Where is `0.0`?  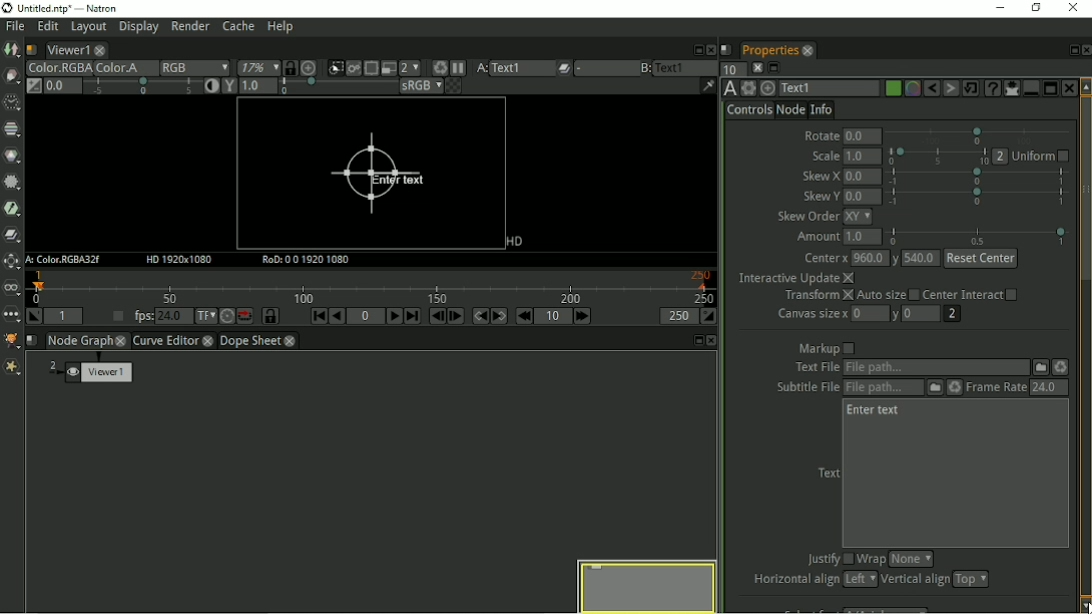
0.0 is located at coordinates (862, 176).